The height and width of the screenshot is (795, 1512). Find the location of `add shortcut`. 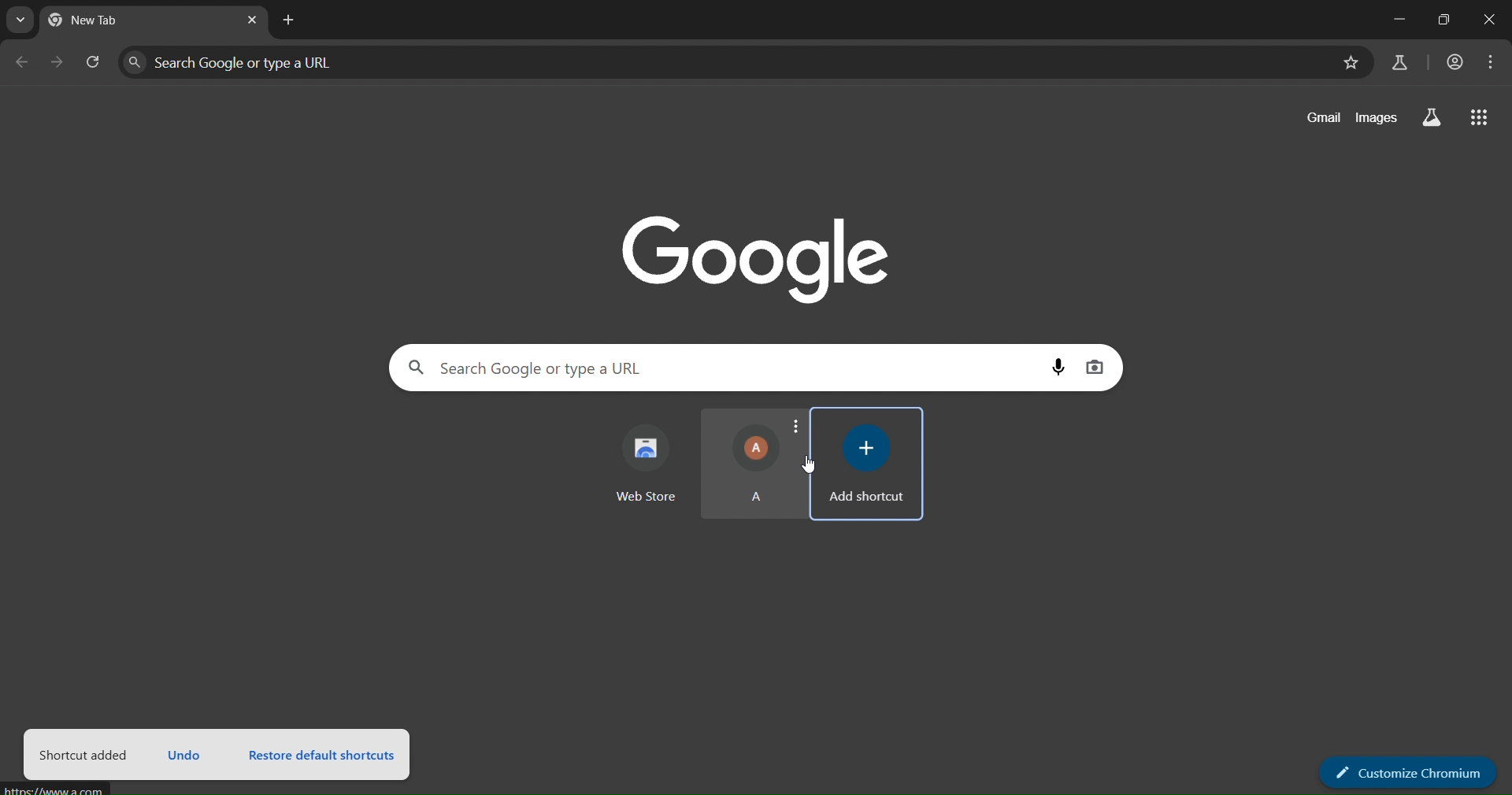

add shortcut is located at coordinates (869, 464).